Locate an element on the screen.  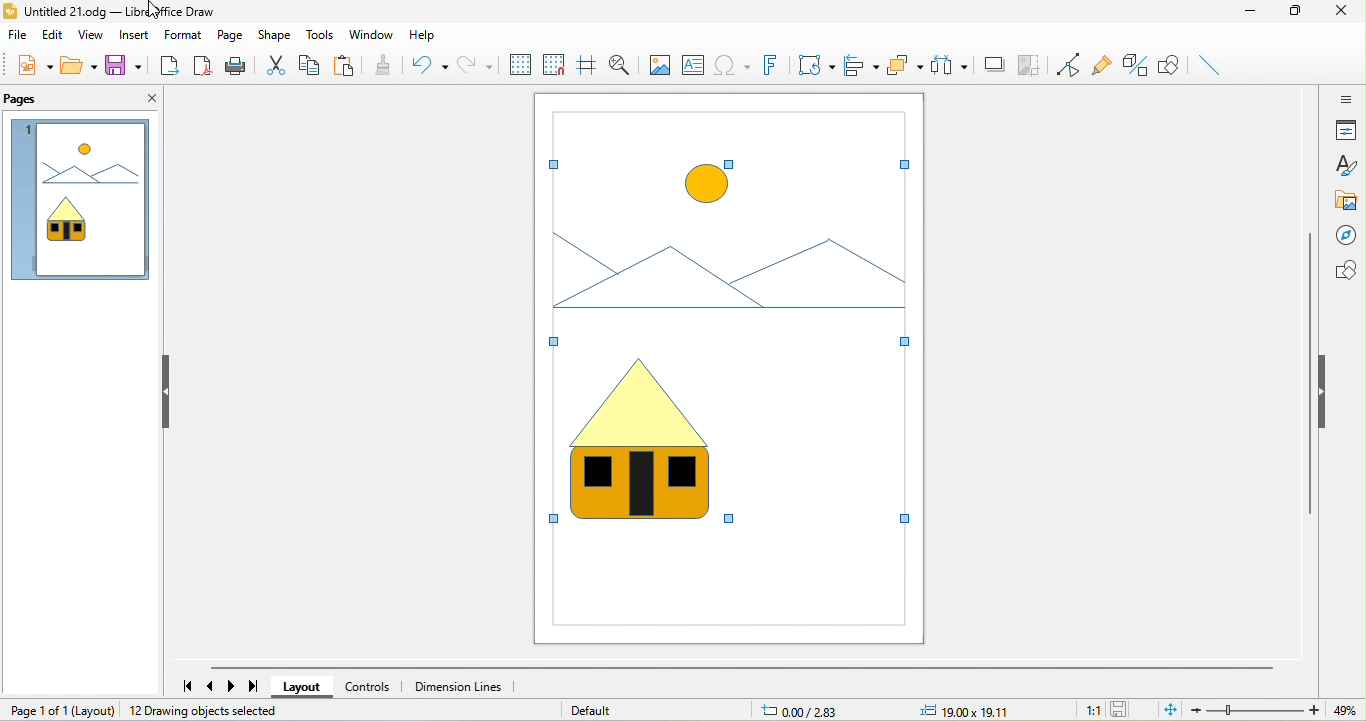
first is located at coordinates (182, 682).